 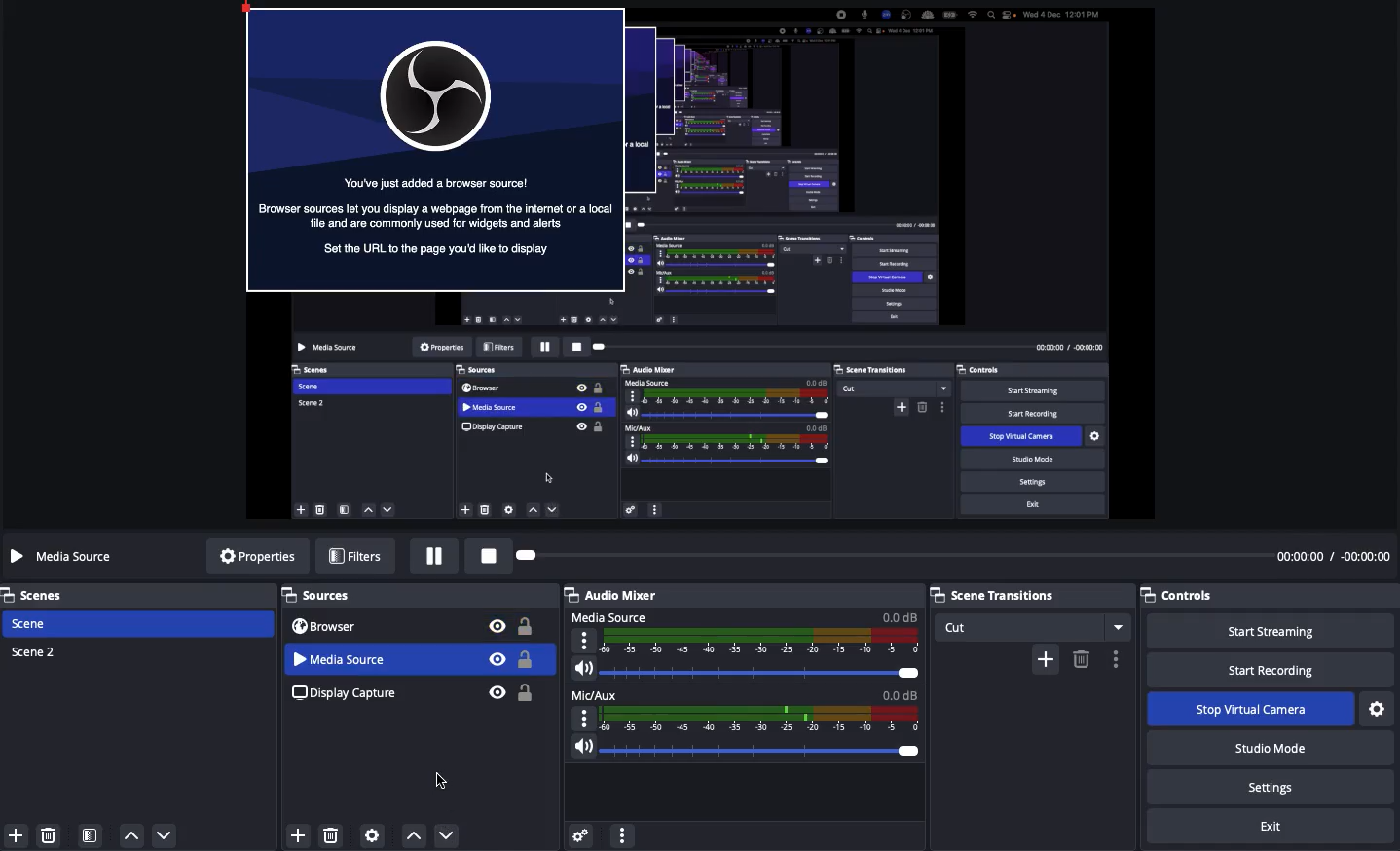 I want to click on Cut, so click(x=1036, y=627).